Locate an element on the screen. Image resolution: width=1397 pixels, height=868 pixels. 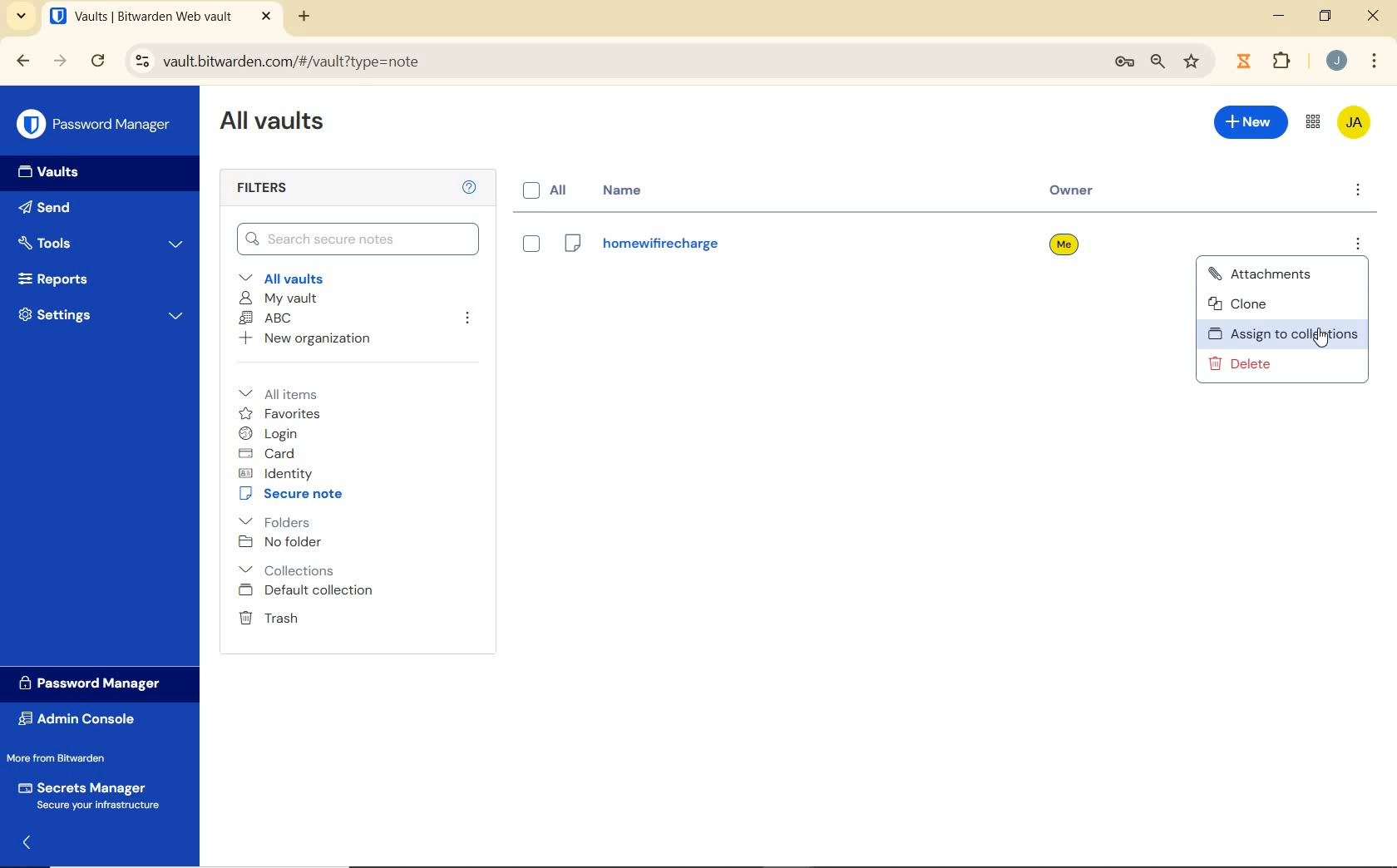
Bitwarden Account is located at coordinates (1355, 124).